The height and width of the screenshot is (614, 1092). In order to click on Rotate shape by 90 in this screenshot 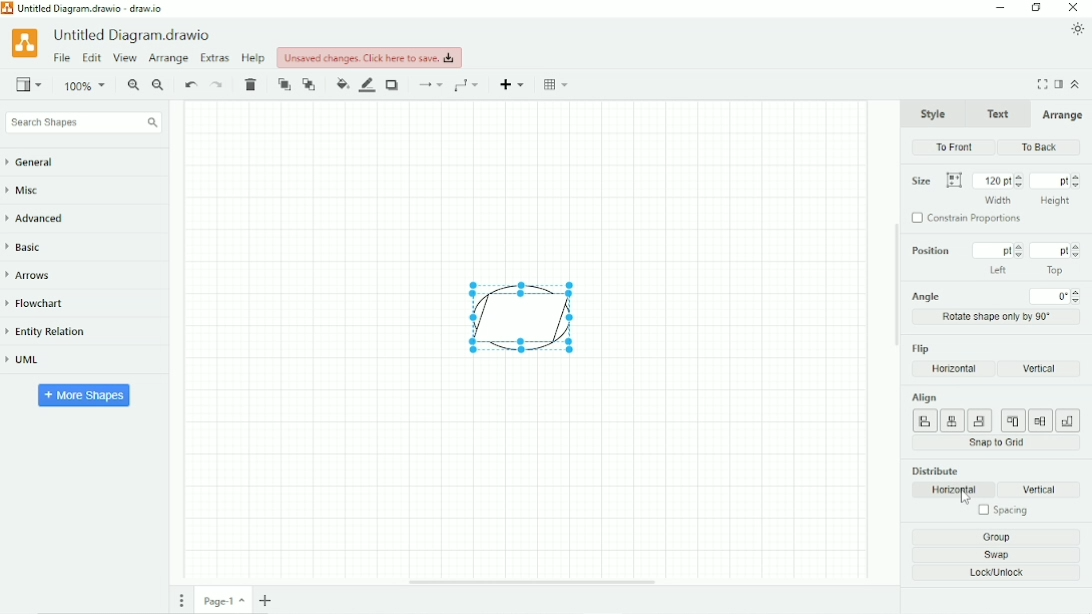, I will do `click(998, 316)`.